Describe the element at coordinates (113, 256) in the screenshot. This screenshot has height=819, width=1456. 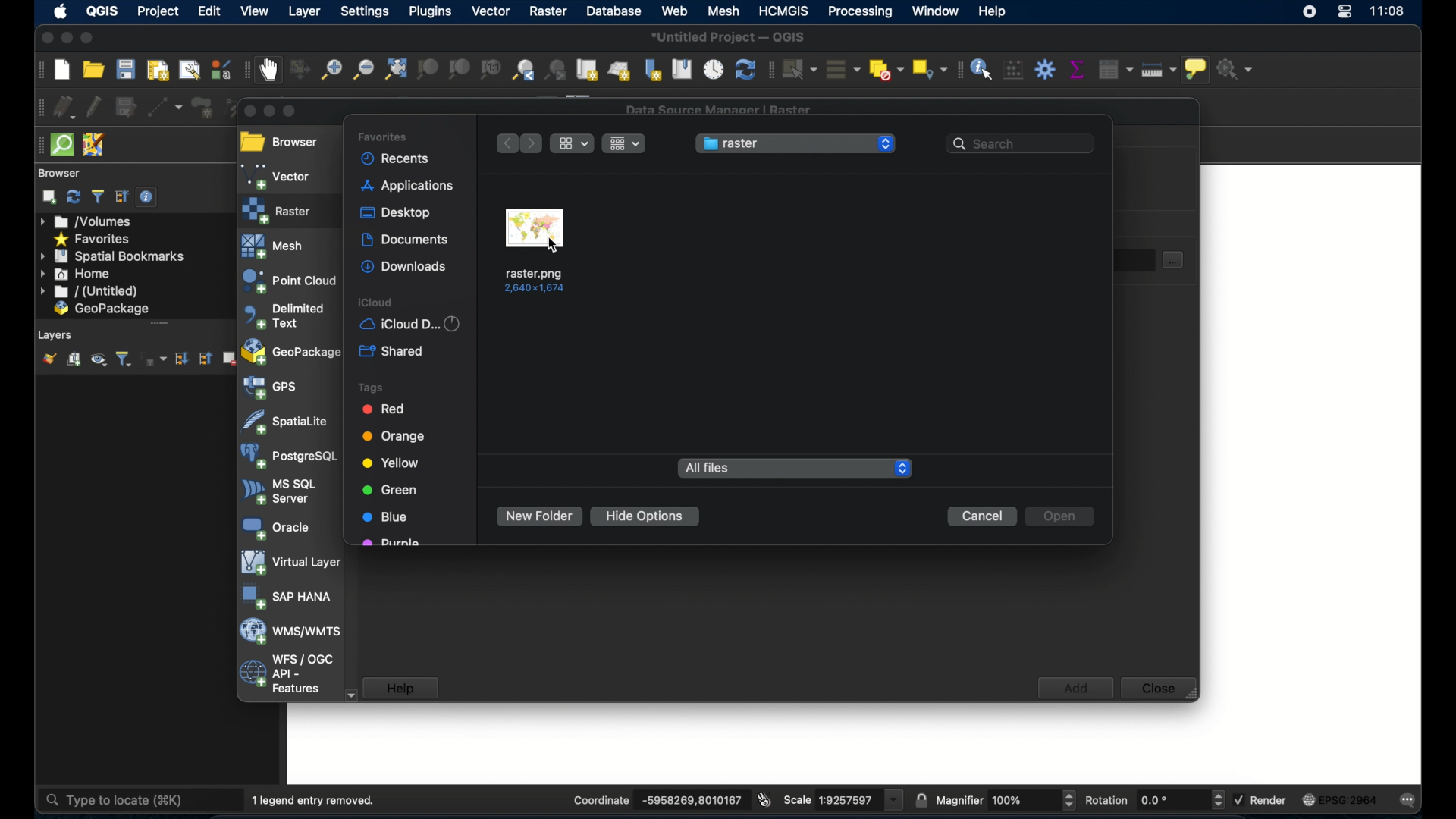
I see `spatial bookmarks` at that location.